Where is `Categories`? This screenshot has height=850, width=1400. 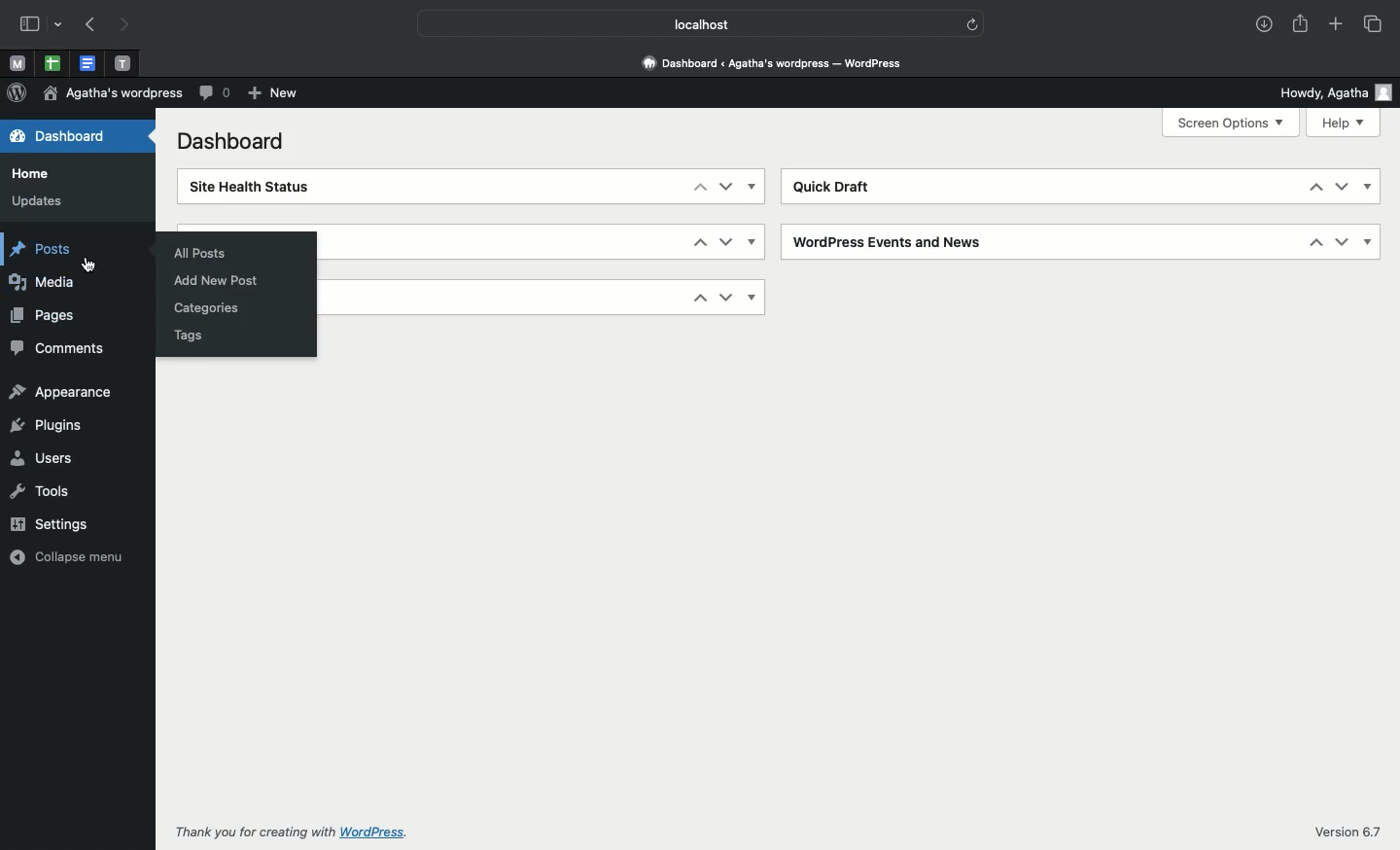 Categories is located at coordinates (209, 309).